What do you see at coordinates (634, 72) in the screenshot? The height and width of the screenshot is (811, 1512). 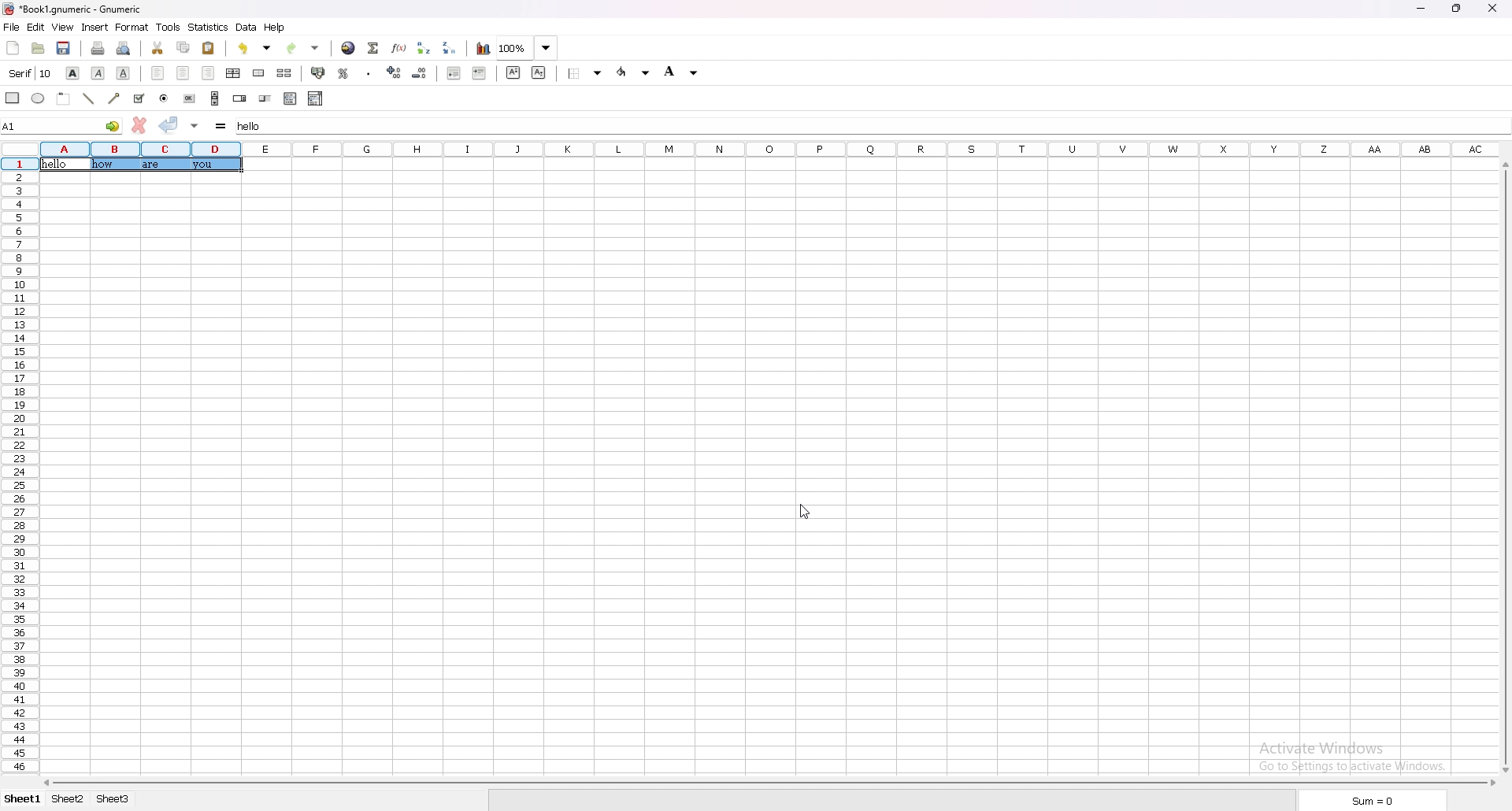 I see `foreground` at bounding box center [634, 72].